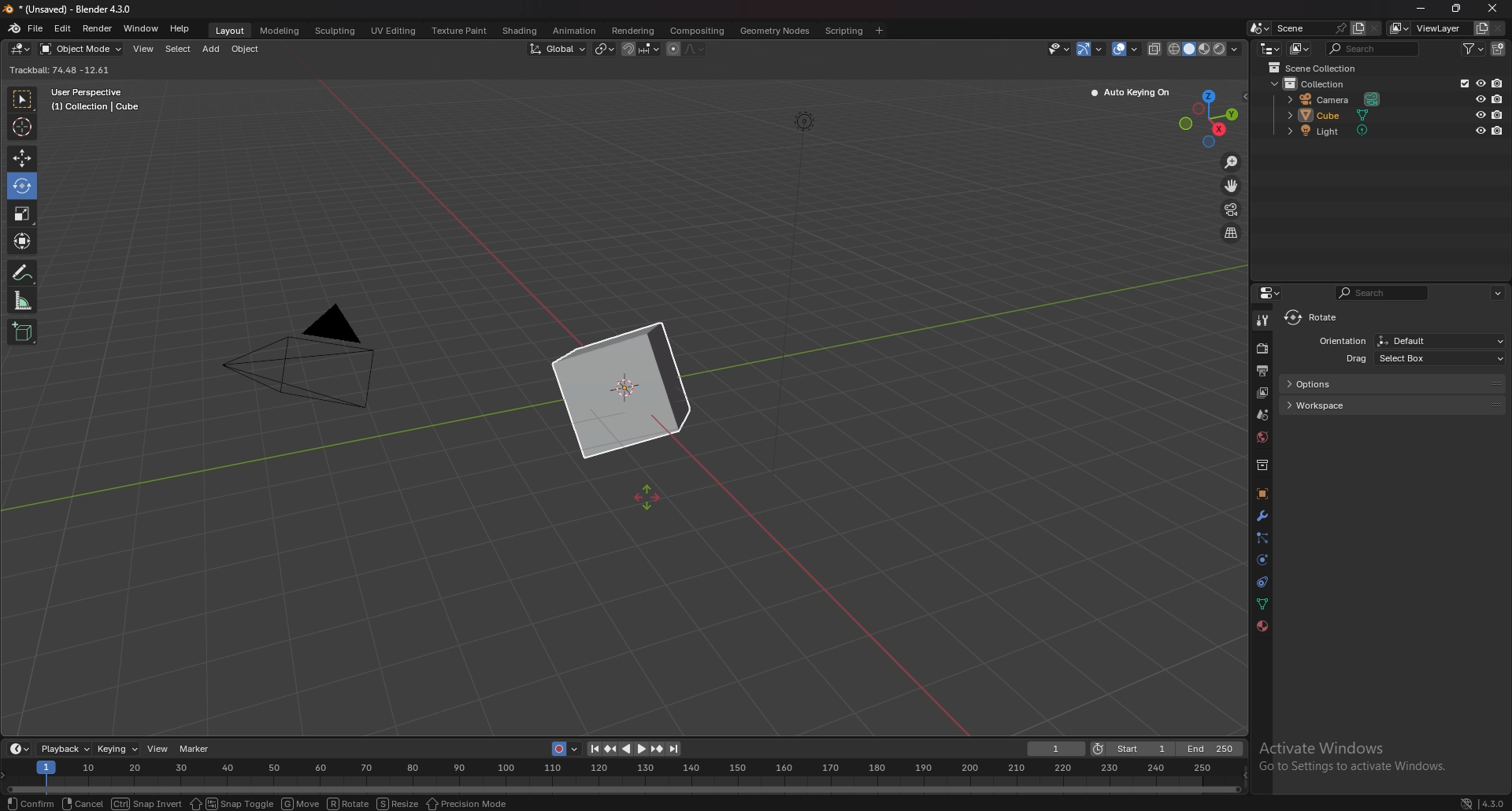 The image size is (1512, 811). I want to click on jump to endpoint, so click(591, 748).